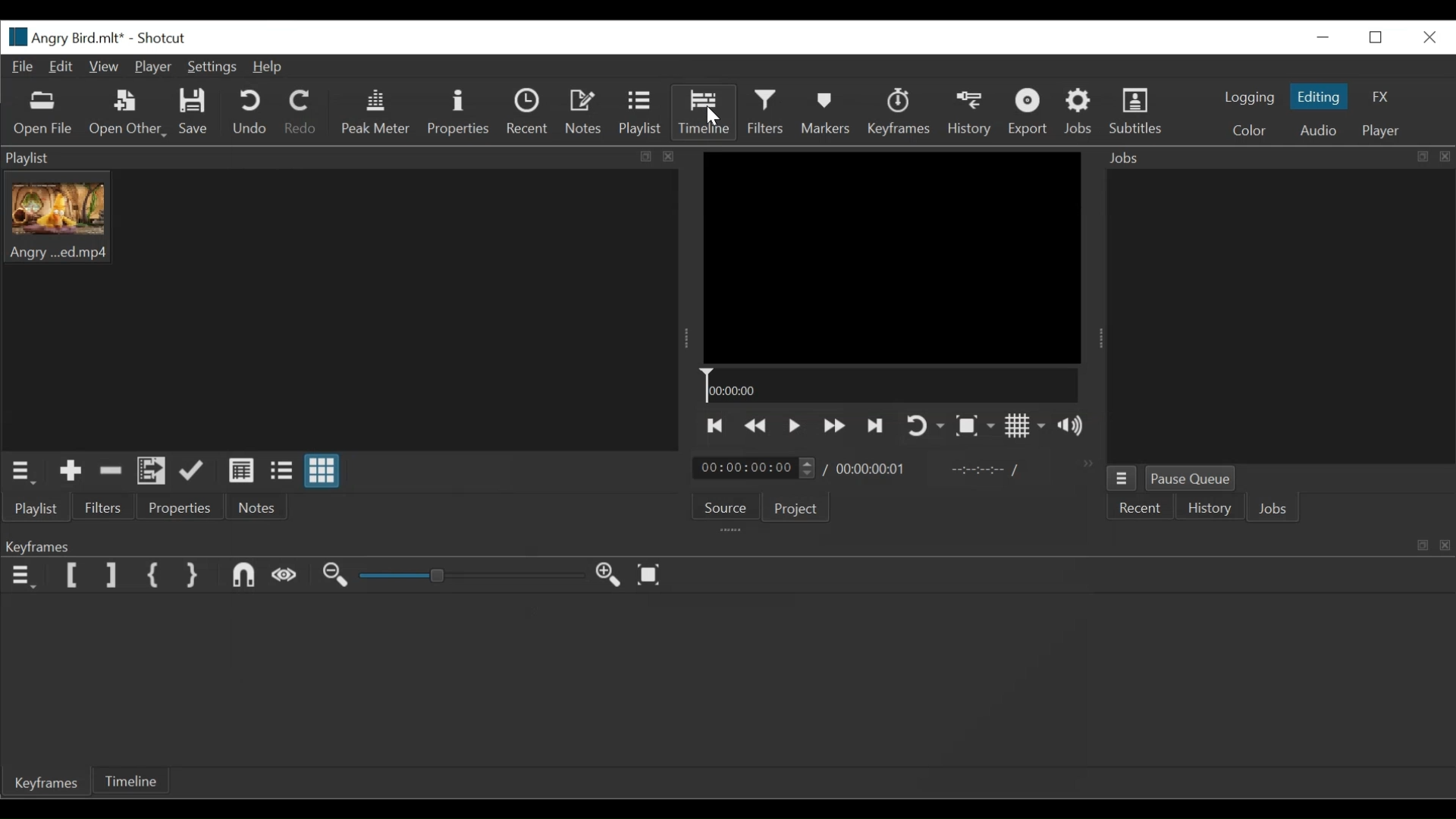 The image size is (1456, 819). Describe the element at coordinates (213, 67) in the screenshot. I see `Settings` at that location.